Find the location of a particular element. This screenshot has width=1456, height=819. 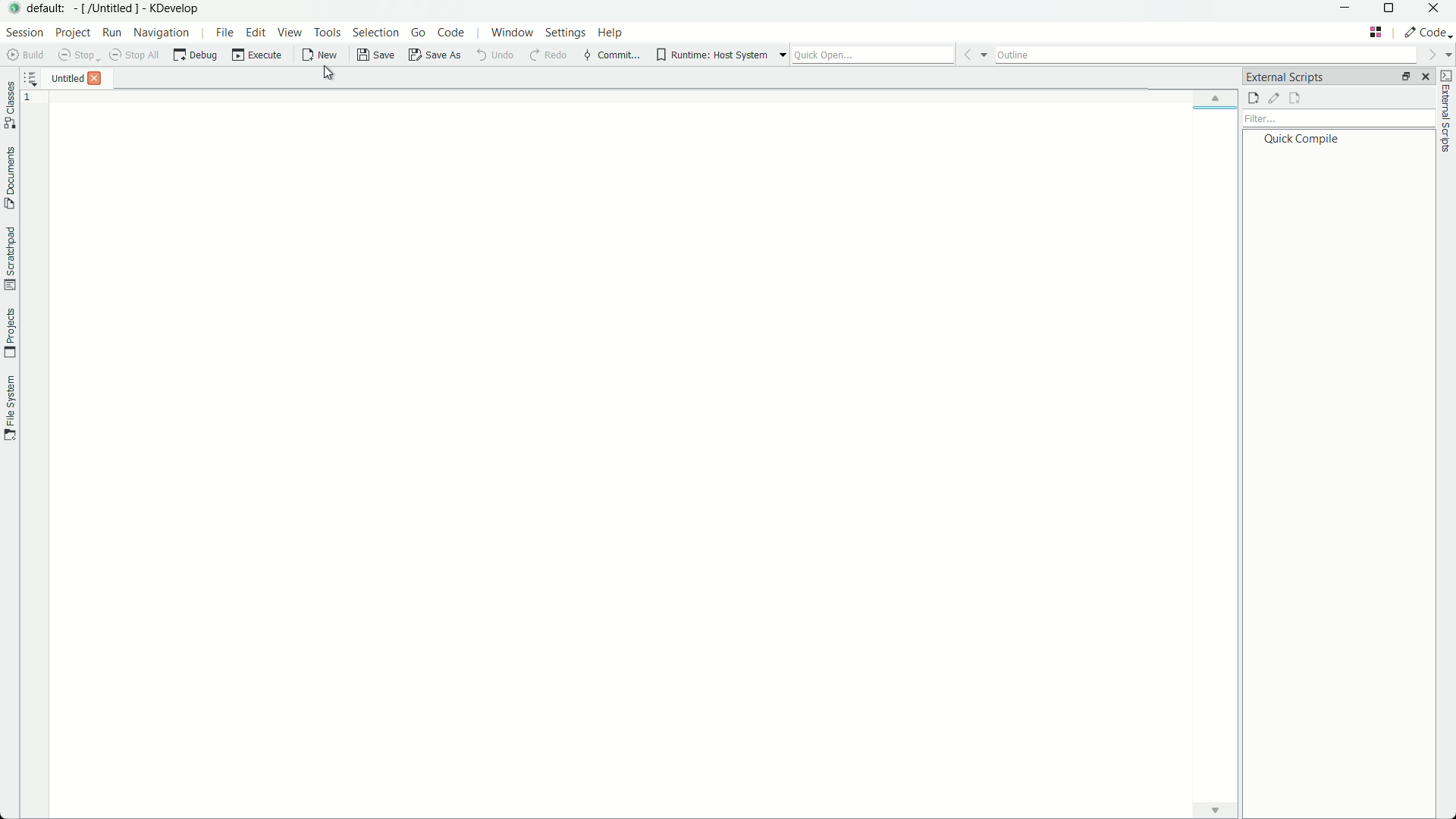

save is located at coordinates (373, 55).